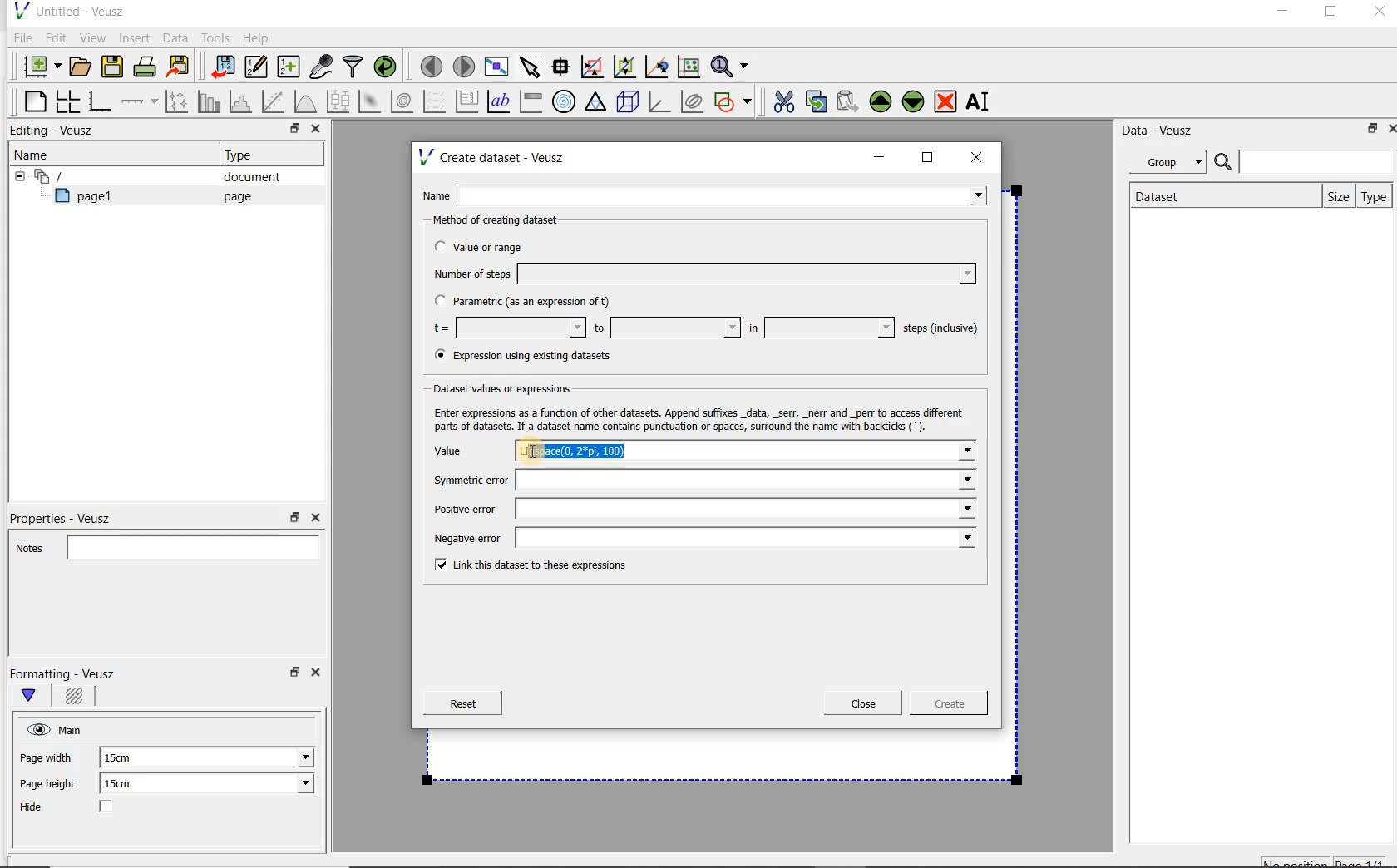 The height and width of the screenshot is (868, 1397). Describe the element at coordinates (693, 101) in the screenshot. I see `plot covariance ellipses` at that location.